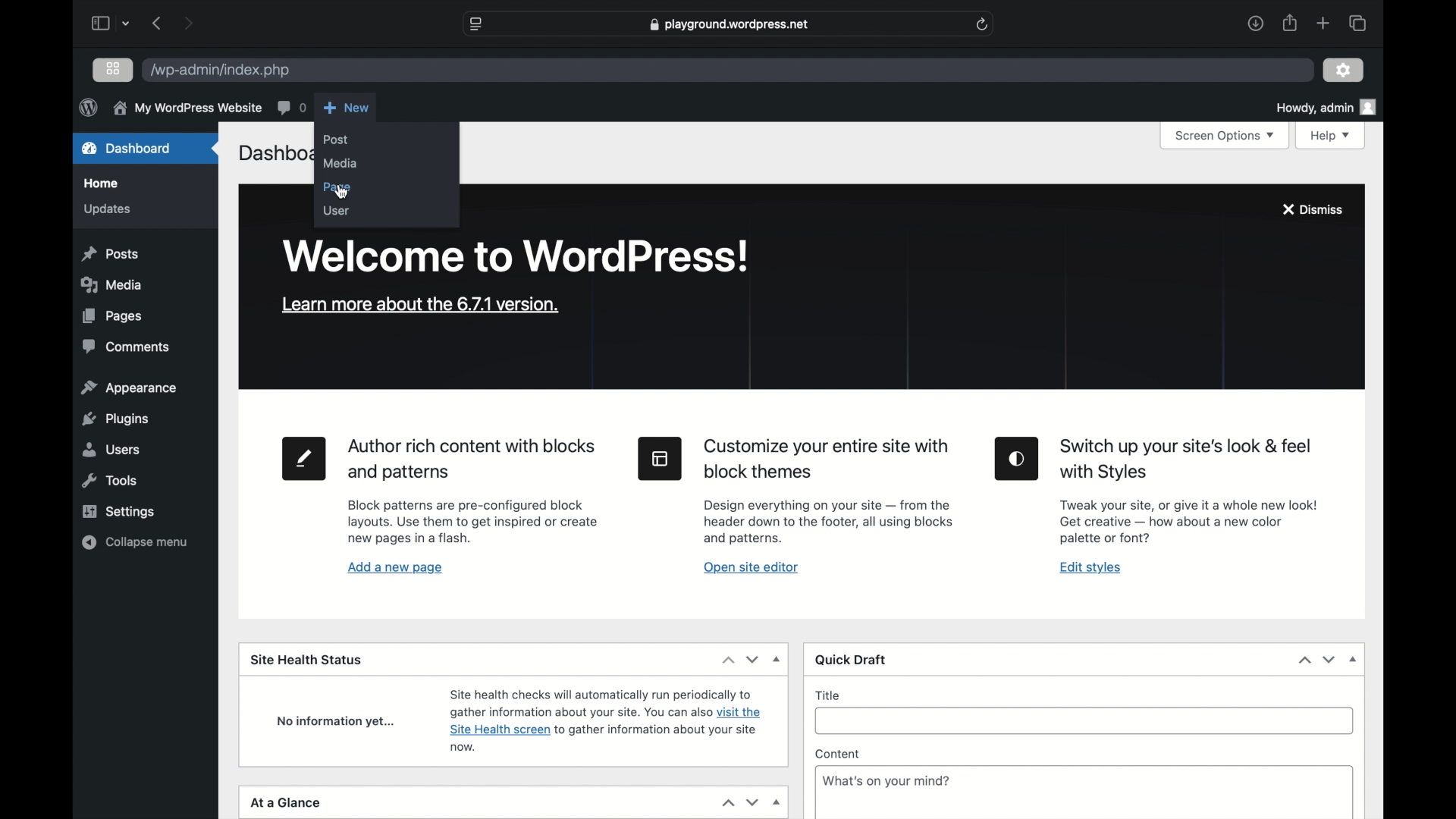  Describe the element at coordinates (475, 25) in the screenshot. I see `website settings` at that location.